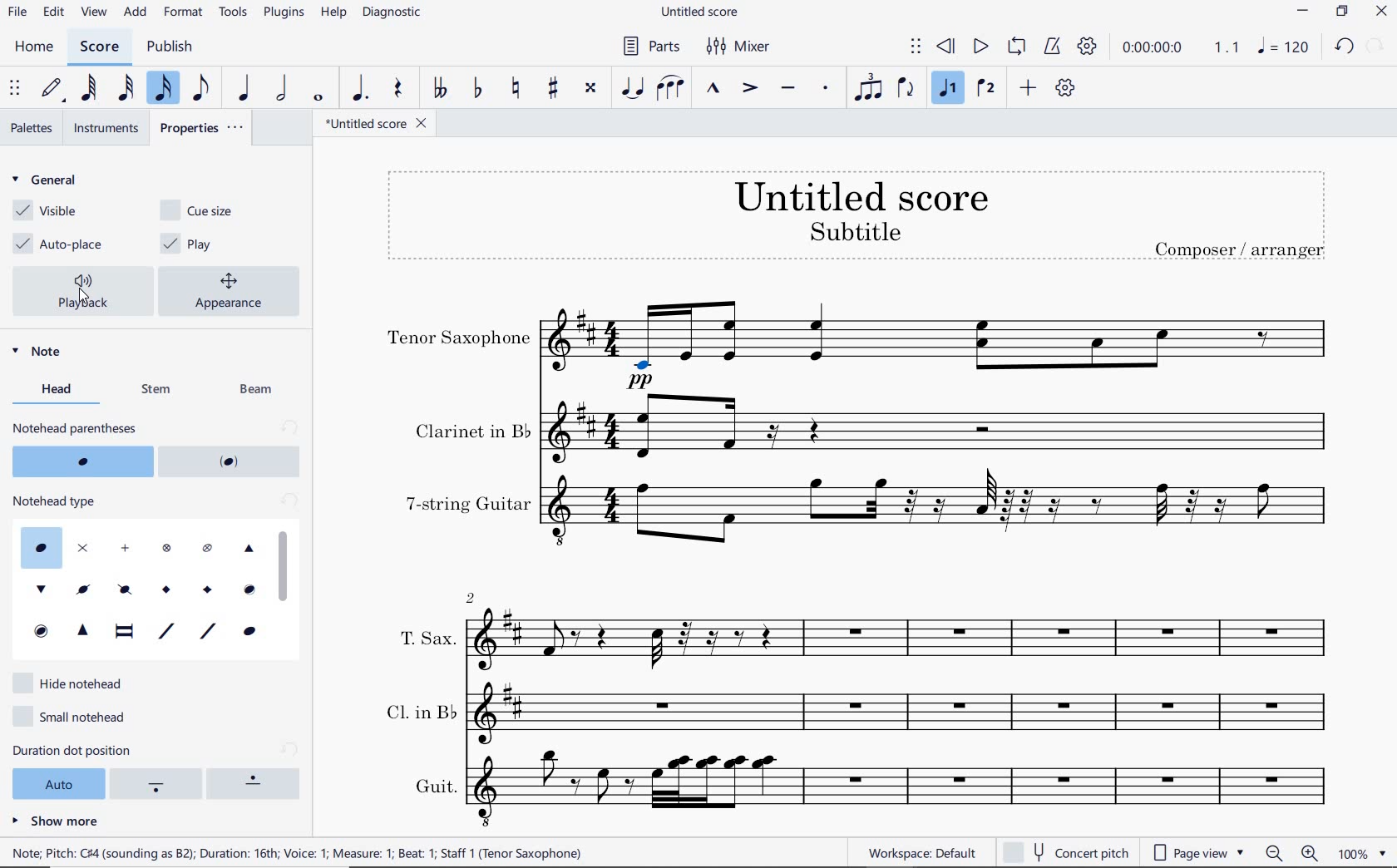  I want to click on LOOP PLAYBACK, so click(1019, 47).